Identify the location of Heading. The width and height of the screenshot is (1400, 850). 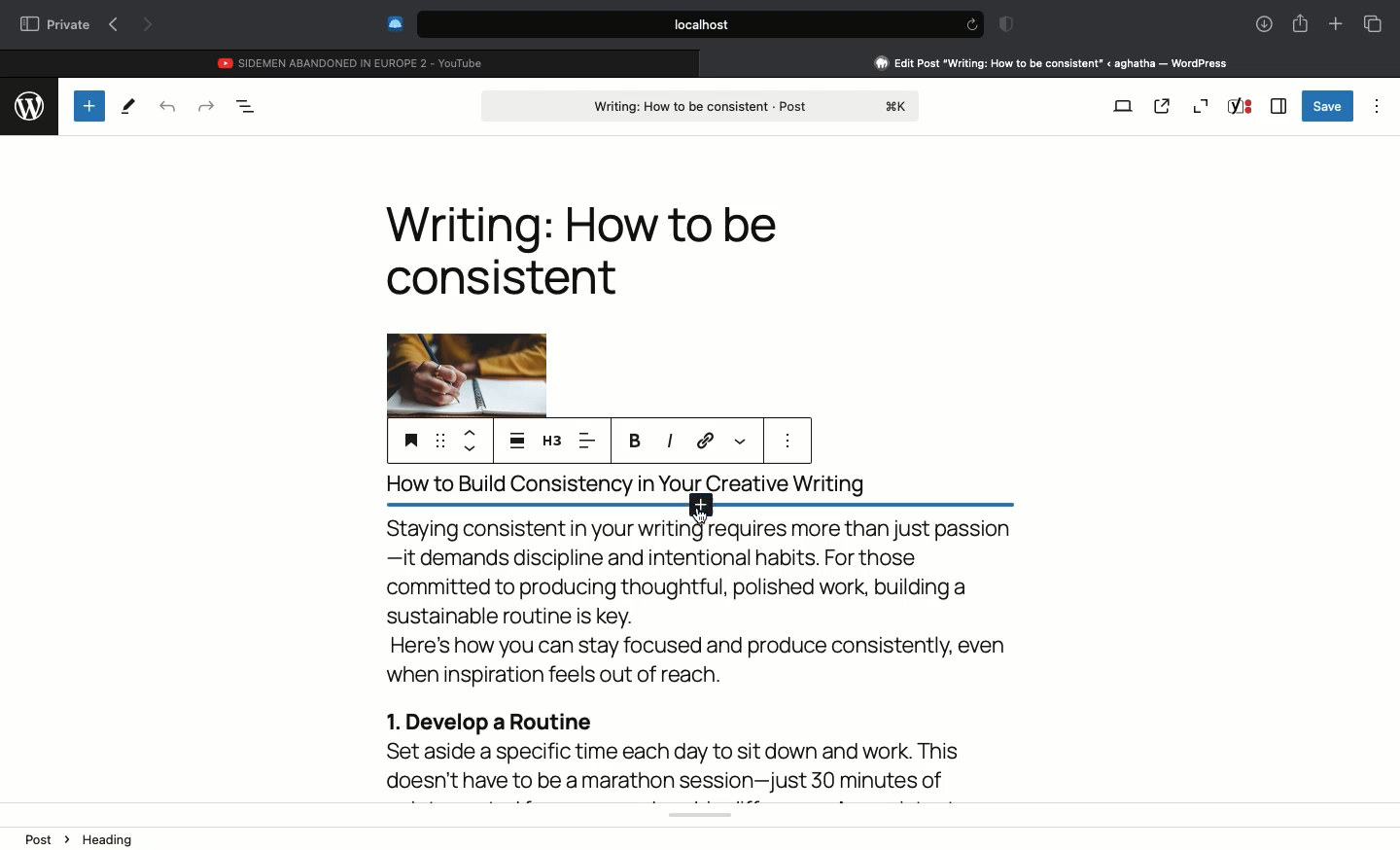
(581, 250).